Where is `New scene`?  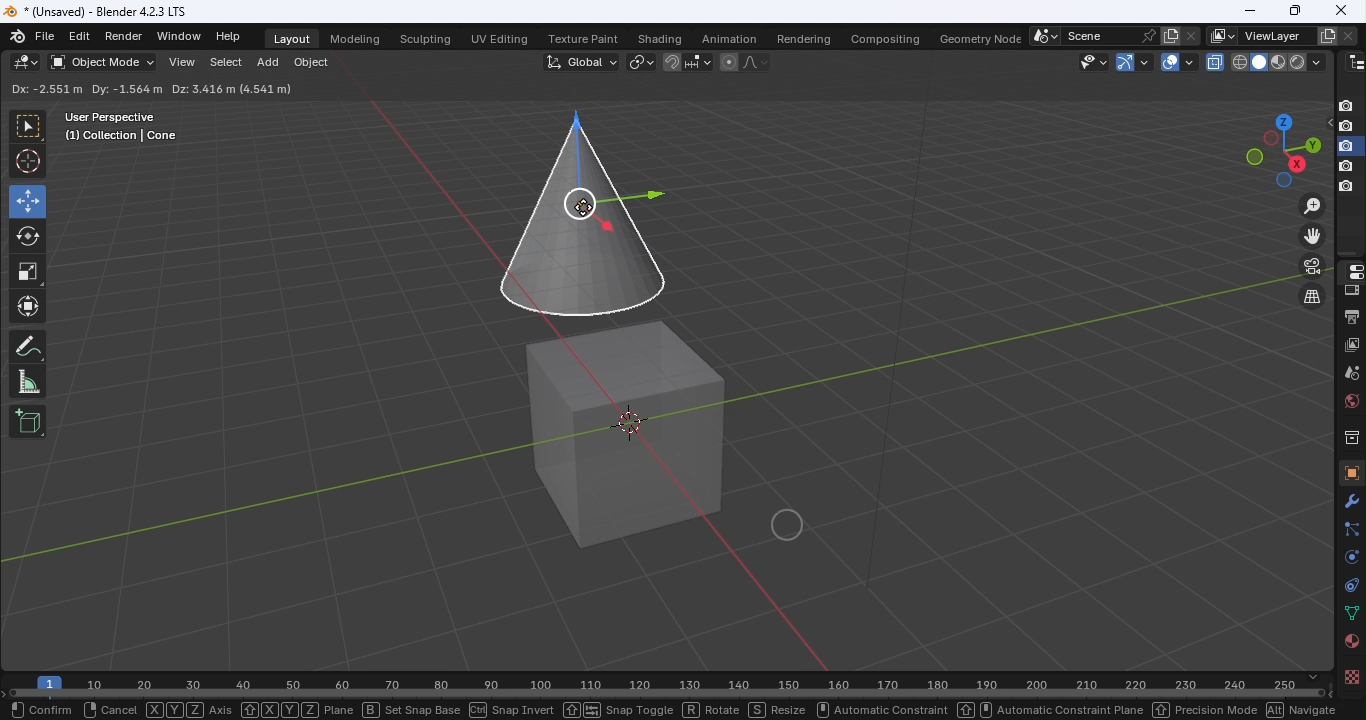 New scene is located at coordinates (1169, 35).